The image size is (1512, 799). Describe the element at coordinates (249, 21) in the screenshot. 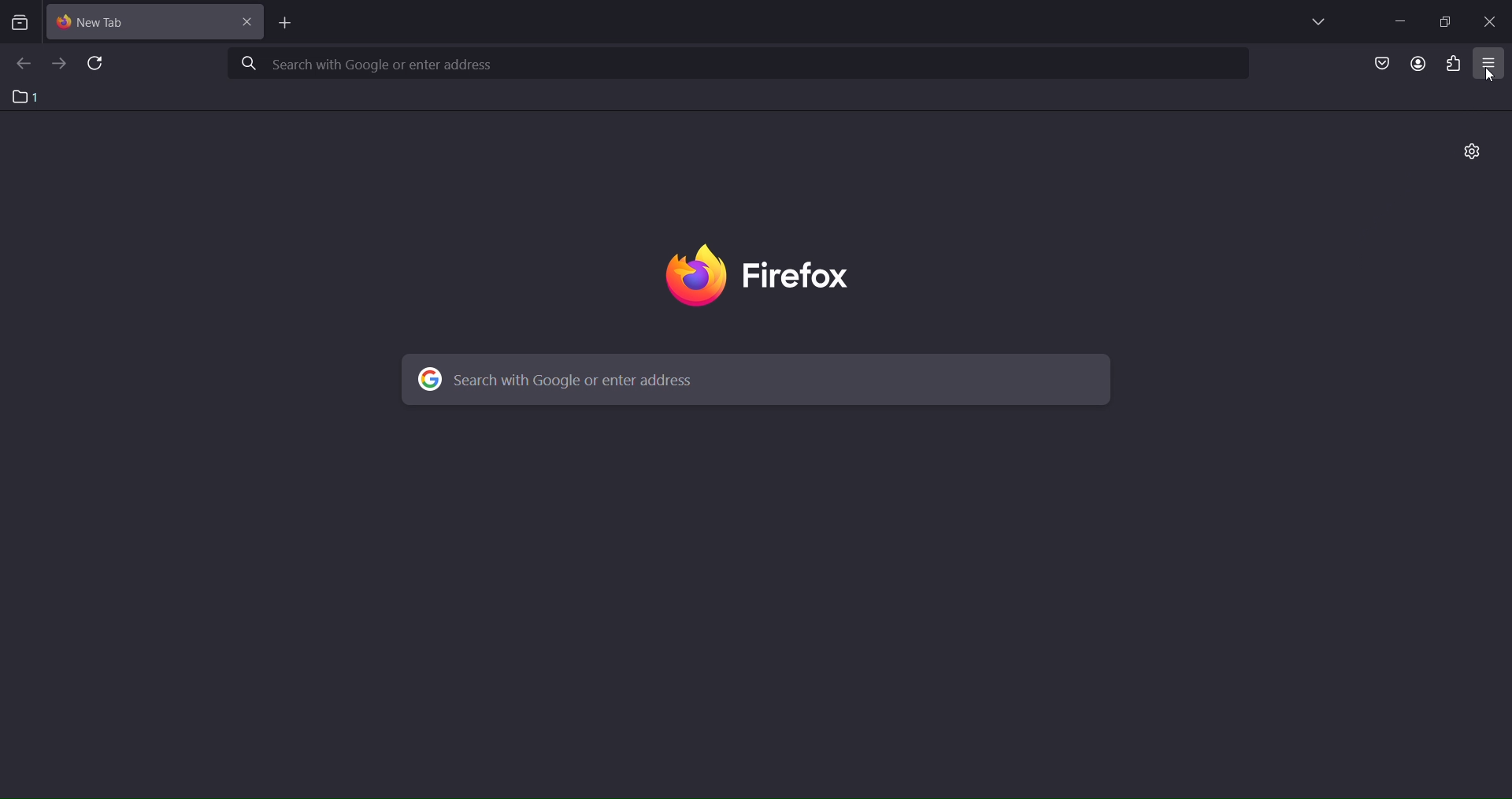

I see `close tab` at that location.